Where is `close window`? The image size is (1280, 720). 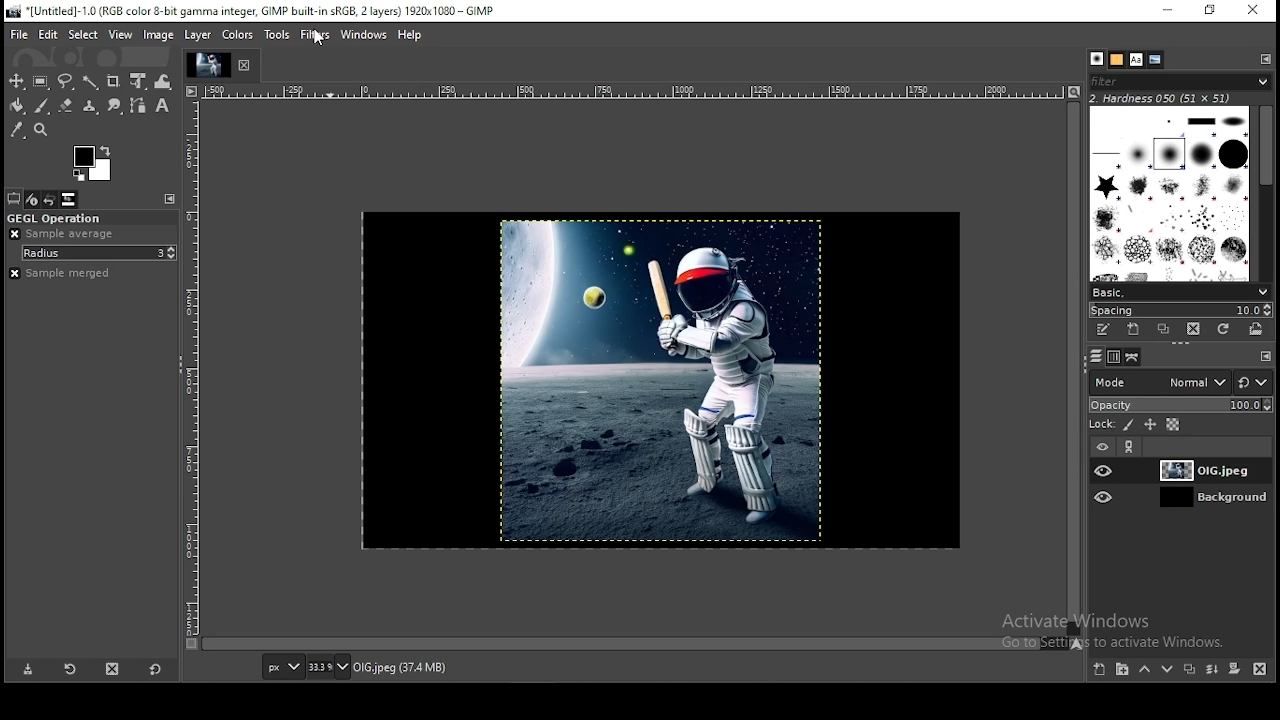 close window is located at coordinates (1255, 11).